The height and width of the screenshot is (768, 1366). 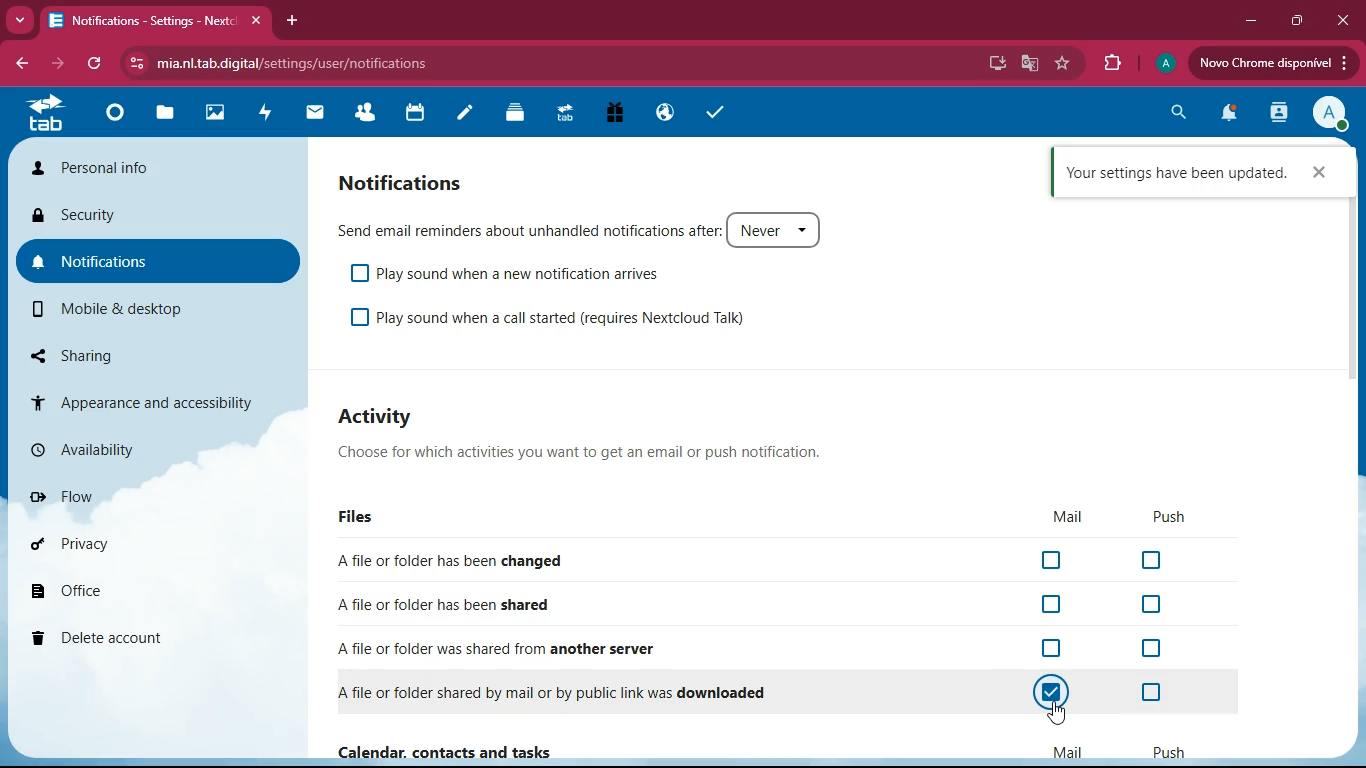 I want to click on refresh, so click(x=93, y=65).